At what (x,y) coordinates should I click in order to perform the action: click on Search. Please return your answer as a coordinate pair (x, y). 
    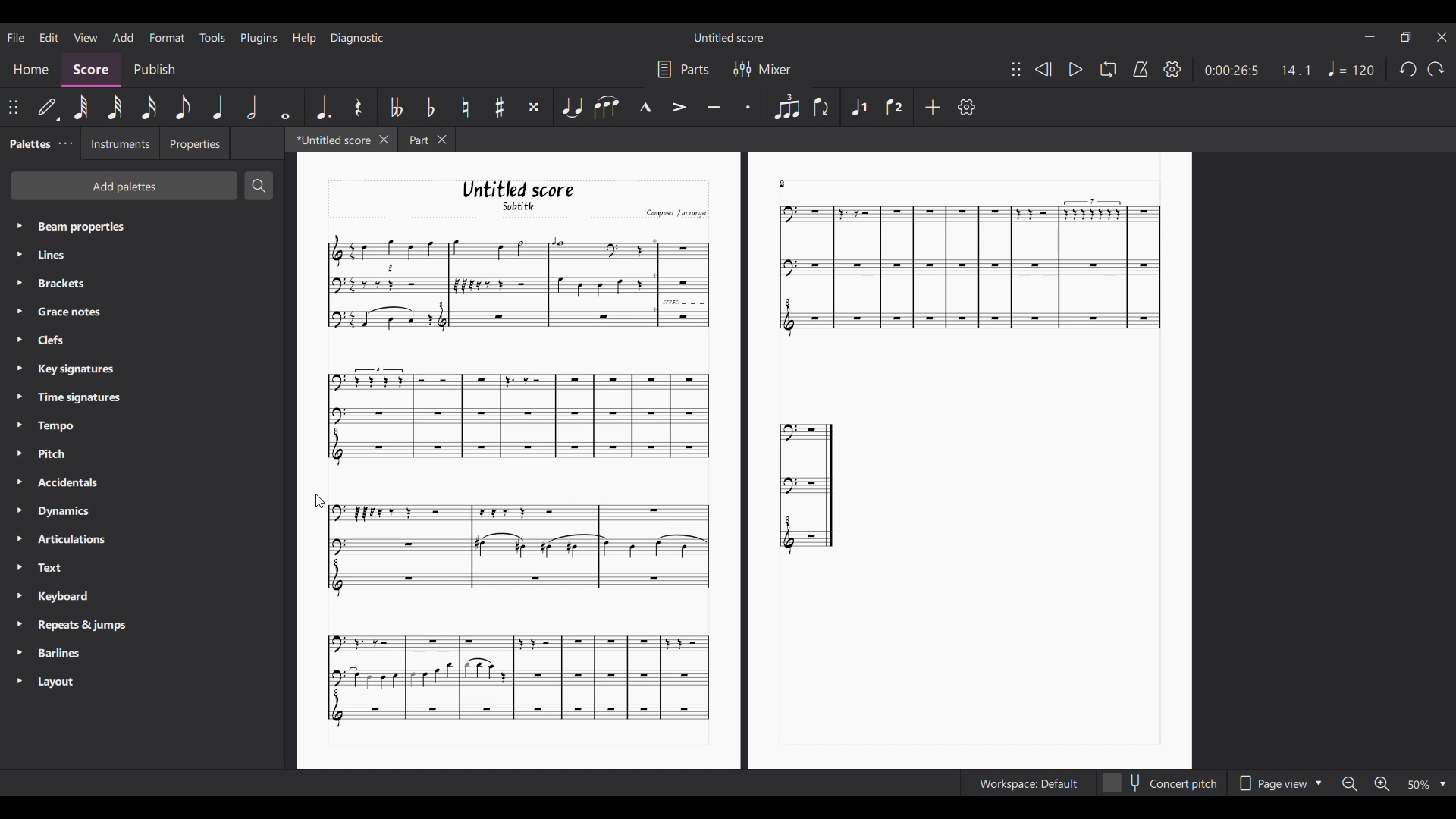
    Looking at the image, I should click on (259, 186).